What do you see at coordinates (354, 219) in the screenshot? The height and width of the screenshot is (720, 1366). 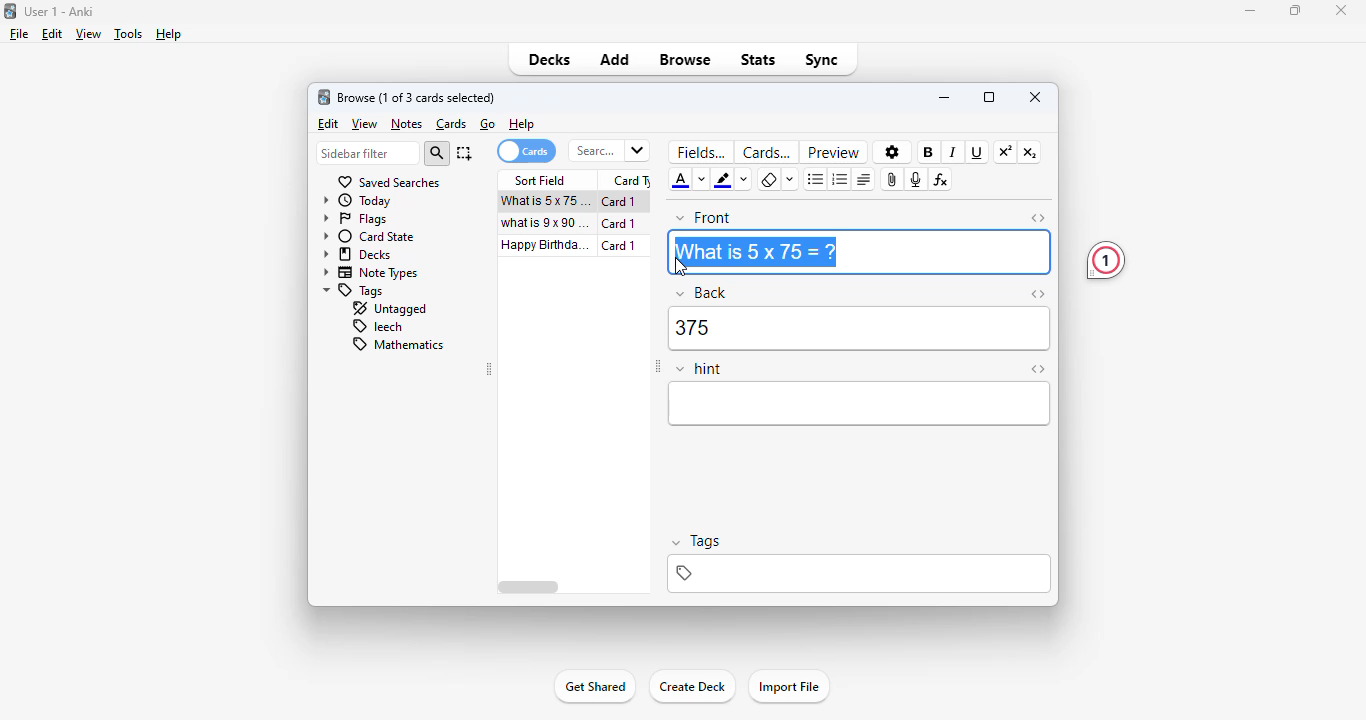 I see `flags` at bounding box center [354, 219].